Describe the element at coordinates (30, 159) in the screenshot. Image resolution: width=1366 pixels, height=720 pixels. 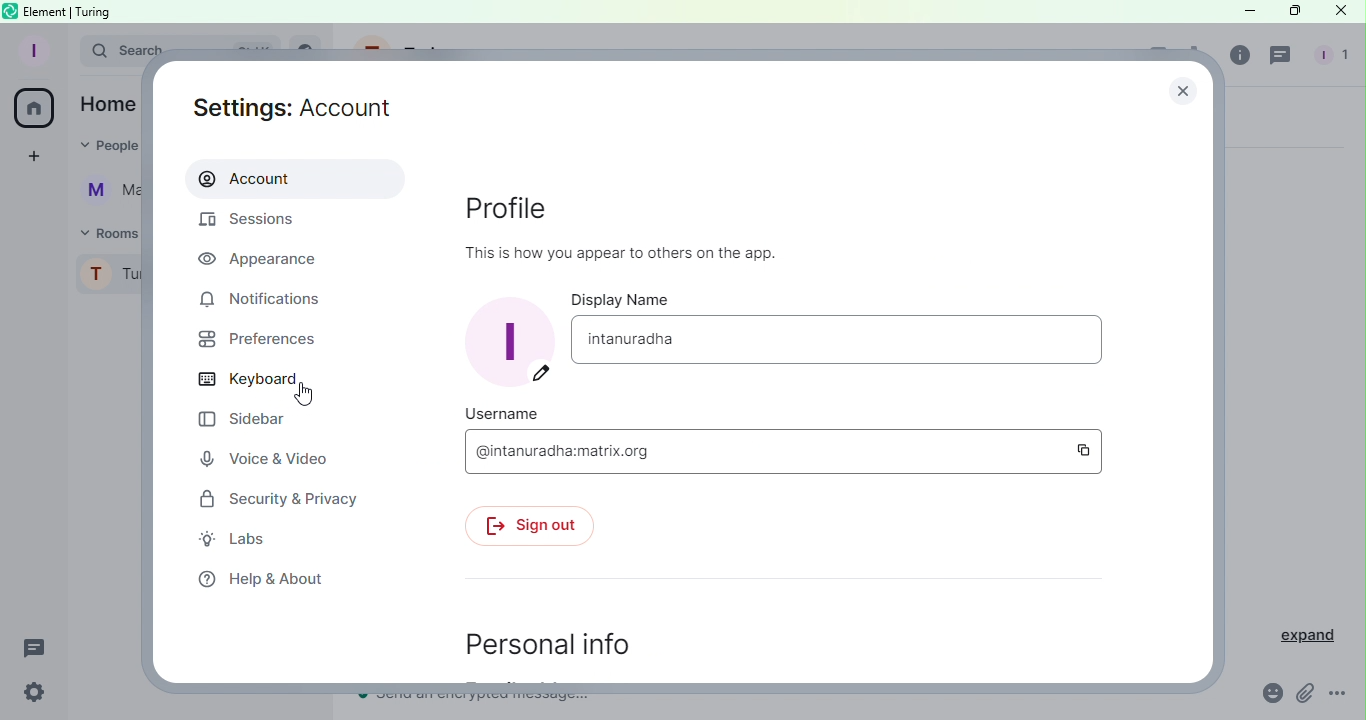
I see `Create a space` at that location.